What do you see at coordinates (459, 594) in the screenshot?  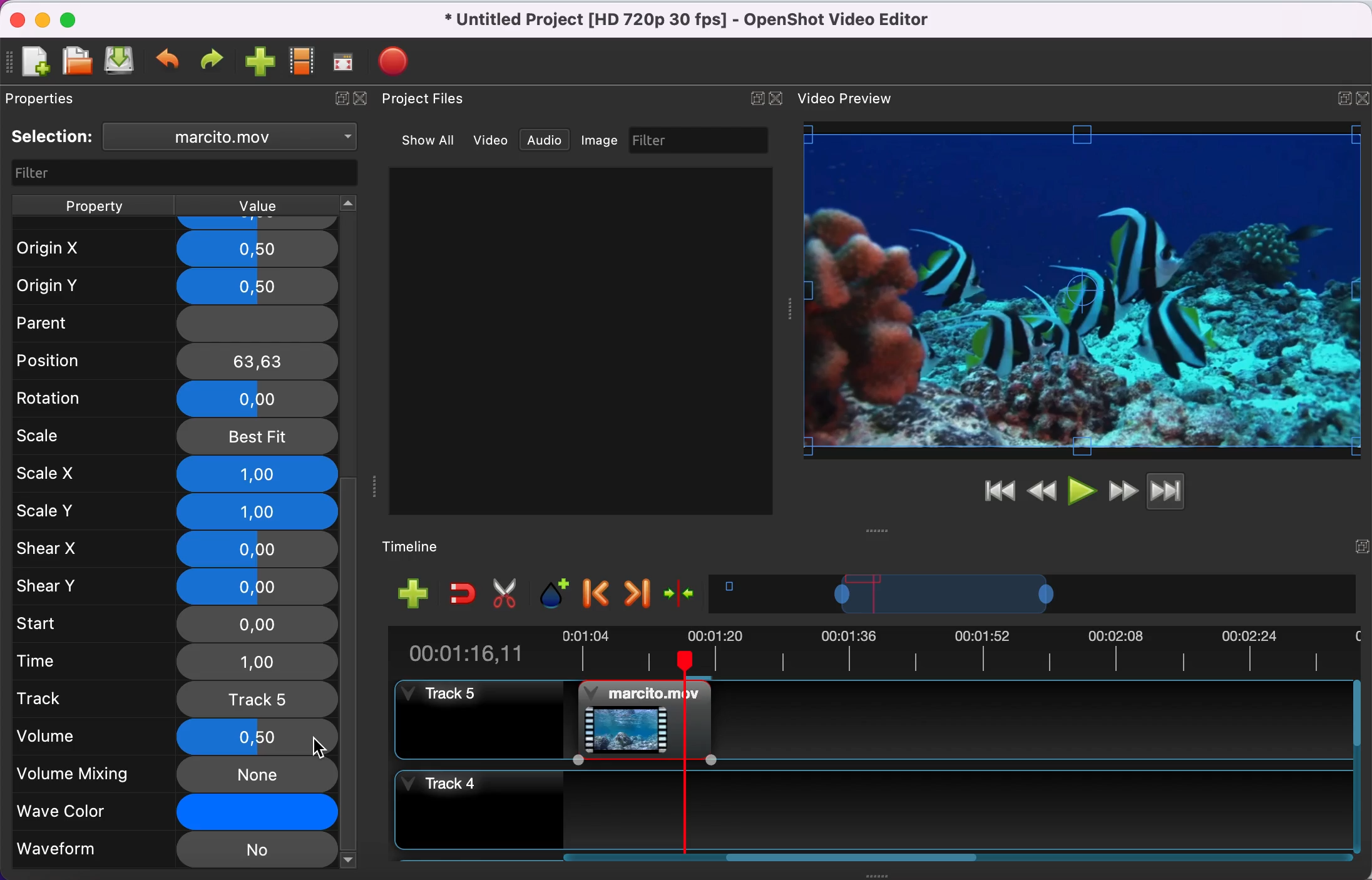 I see `enable snapping` at bounding box center [459, 594].